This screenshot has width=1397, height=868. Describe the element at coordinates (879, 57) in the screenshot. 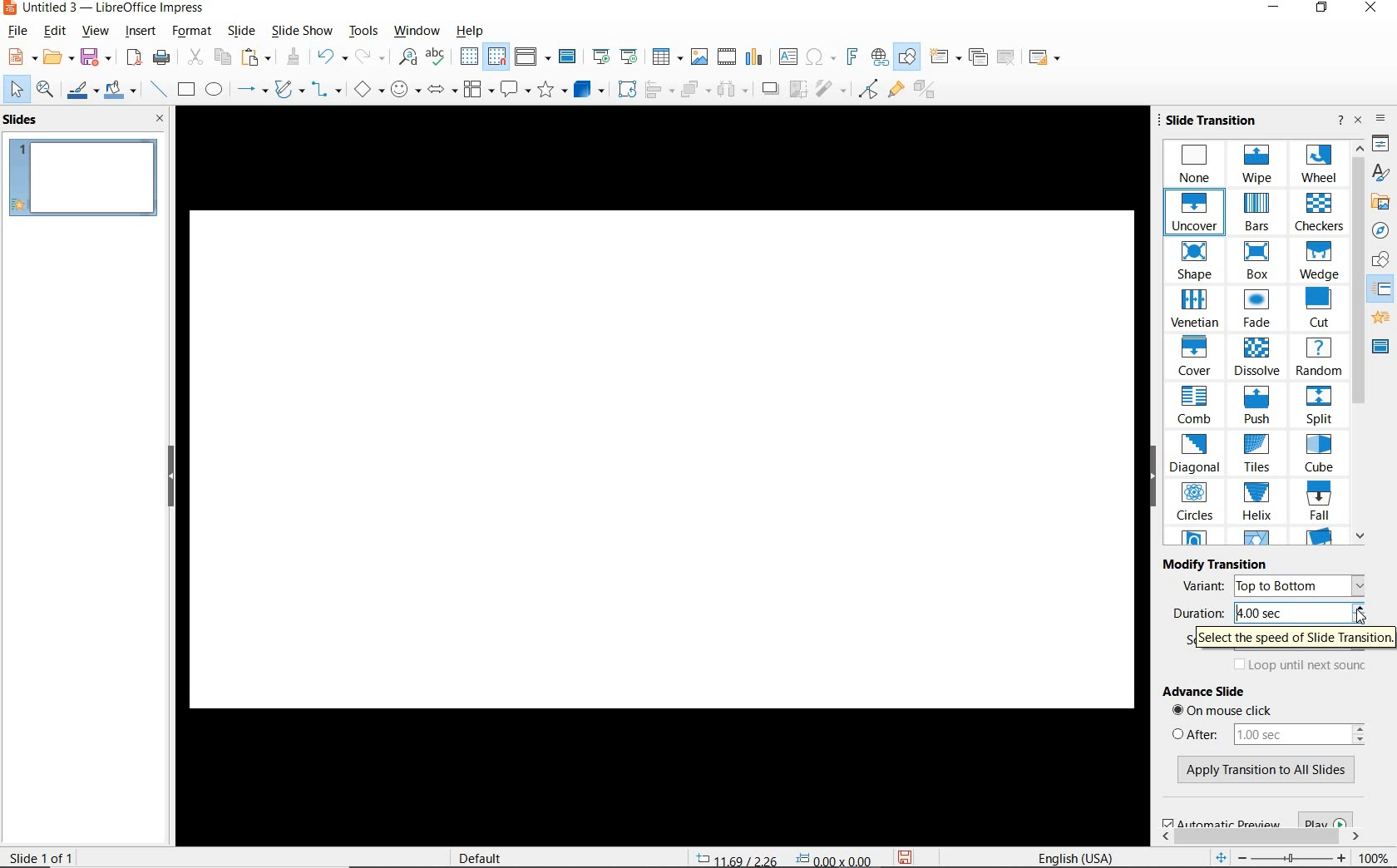

I see `INSERT HYPERLINK` at that location.